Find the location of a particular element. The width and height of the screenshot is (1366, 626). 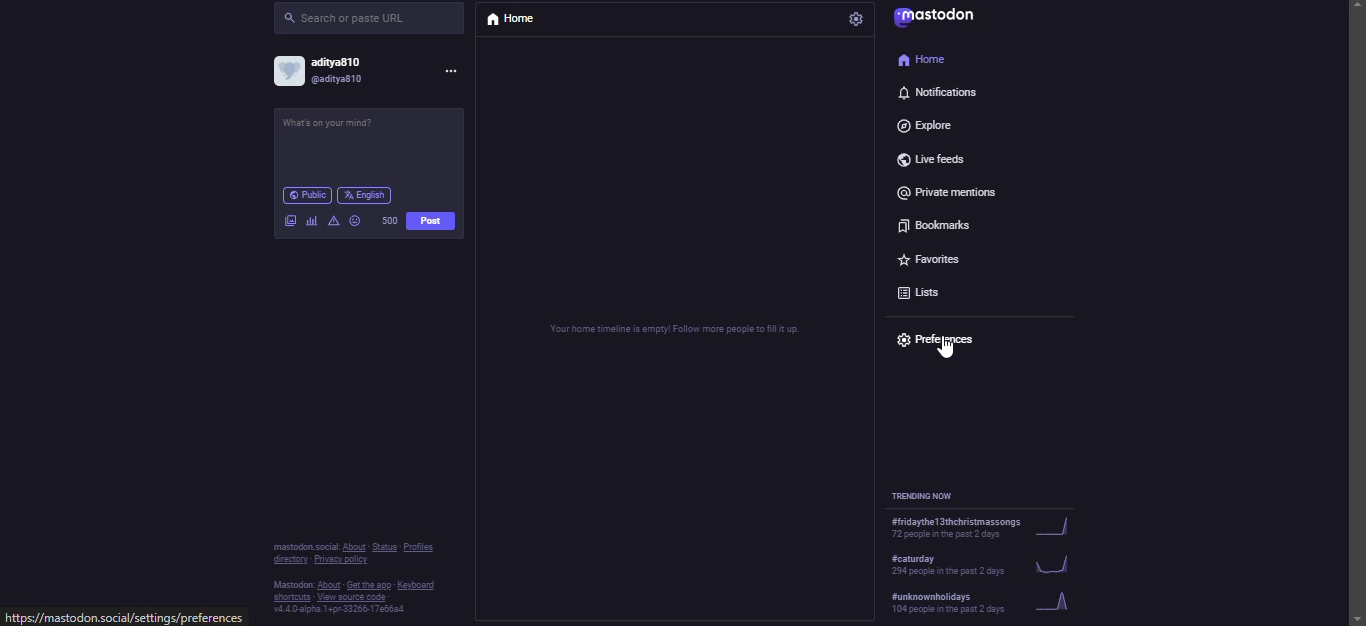

lists is located at coordinates (932, 293).